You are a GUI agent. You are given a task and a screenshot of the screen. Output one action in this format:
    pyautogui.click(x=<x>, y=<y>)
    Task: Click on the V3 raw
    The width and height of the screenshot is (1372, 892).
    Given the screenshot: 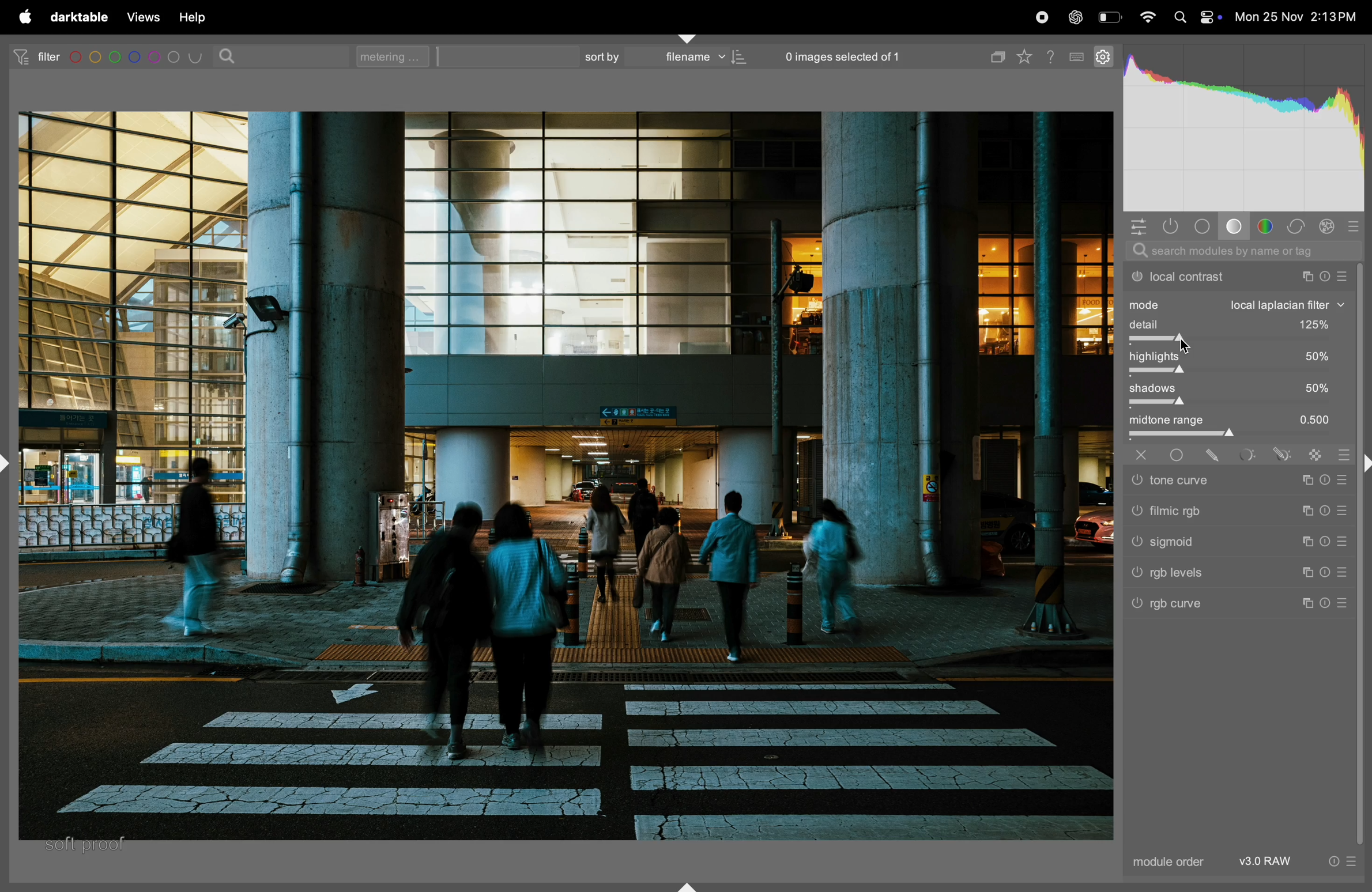 What is the action you would take?
    pyautogui.click(x=1267, y=862)
    